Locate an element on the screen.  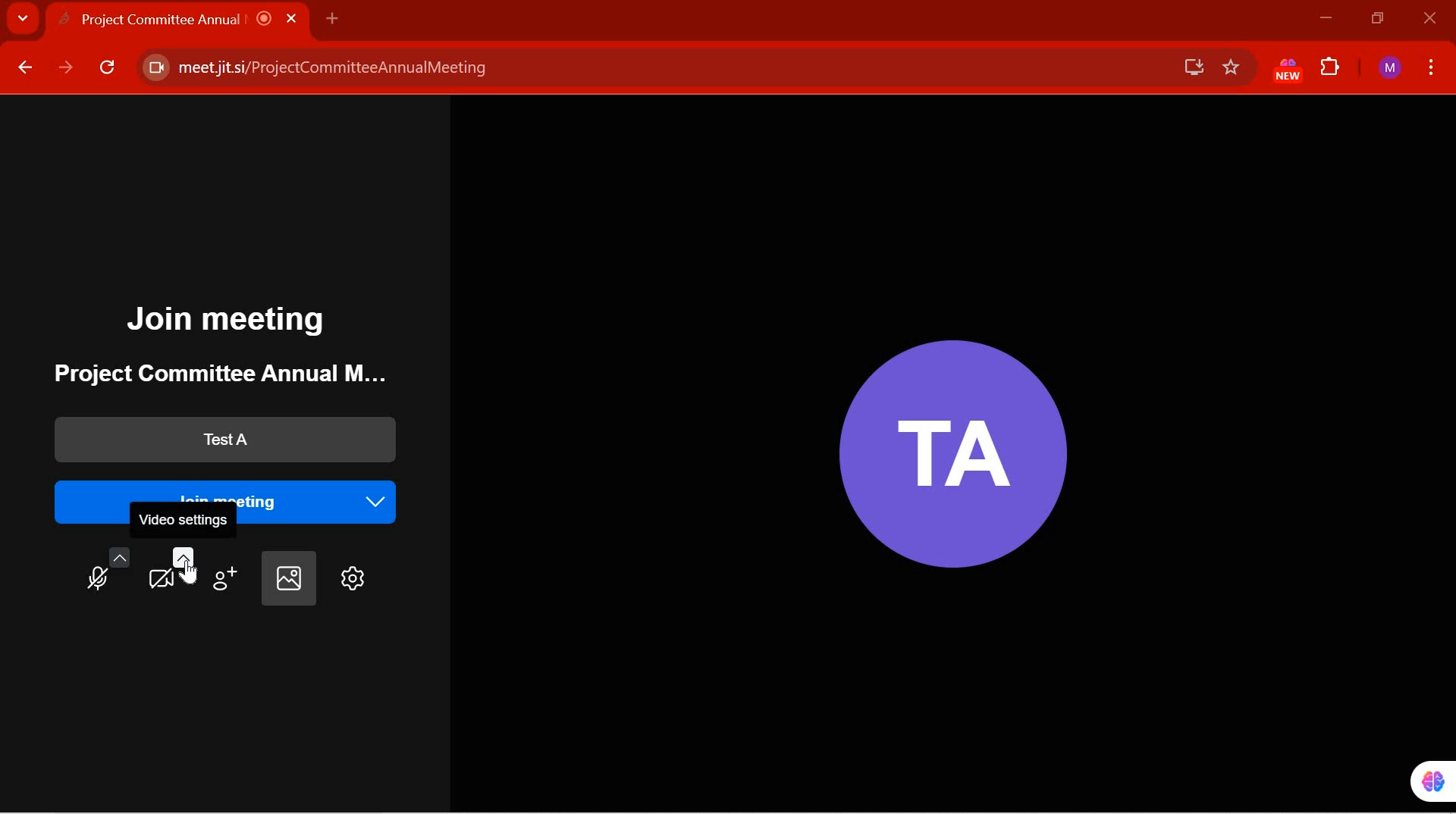
RELOAD is located at coordinates (108, 70).